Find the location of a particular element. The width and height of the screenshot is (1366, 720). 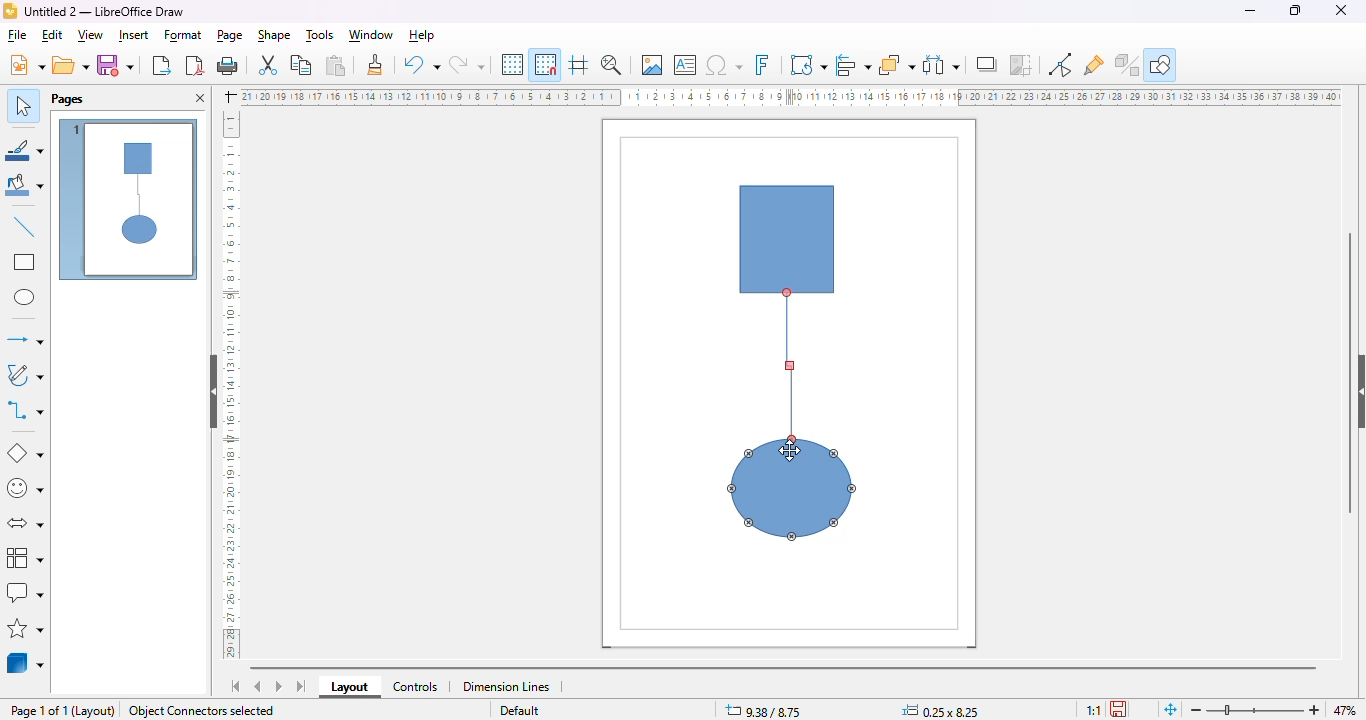

shape 2 is located at coordinates (793, 489).